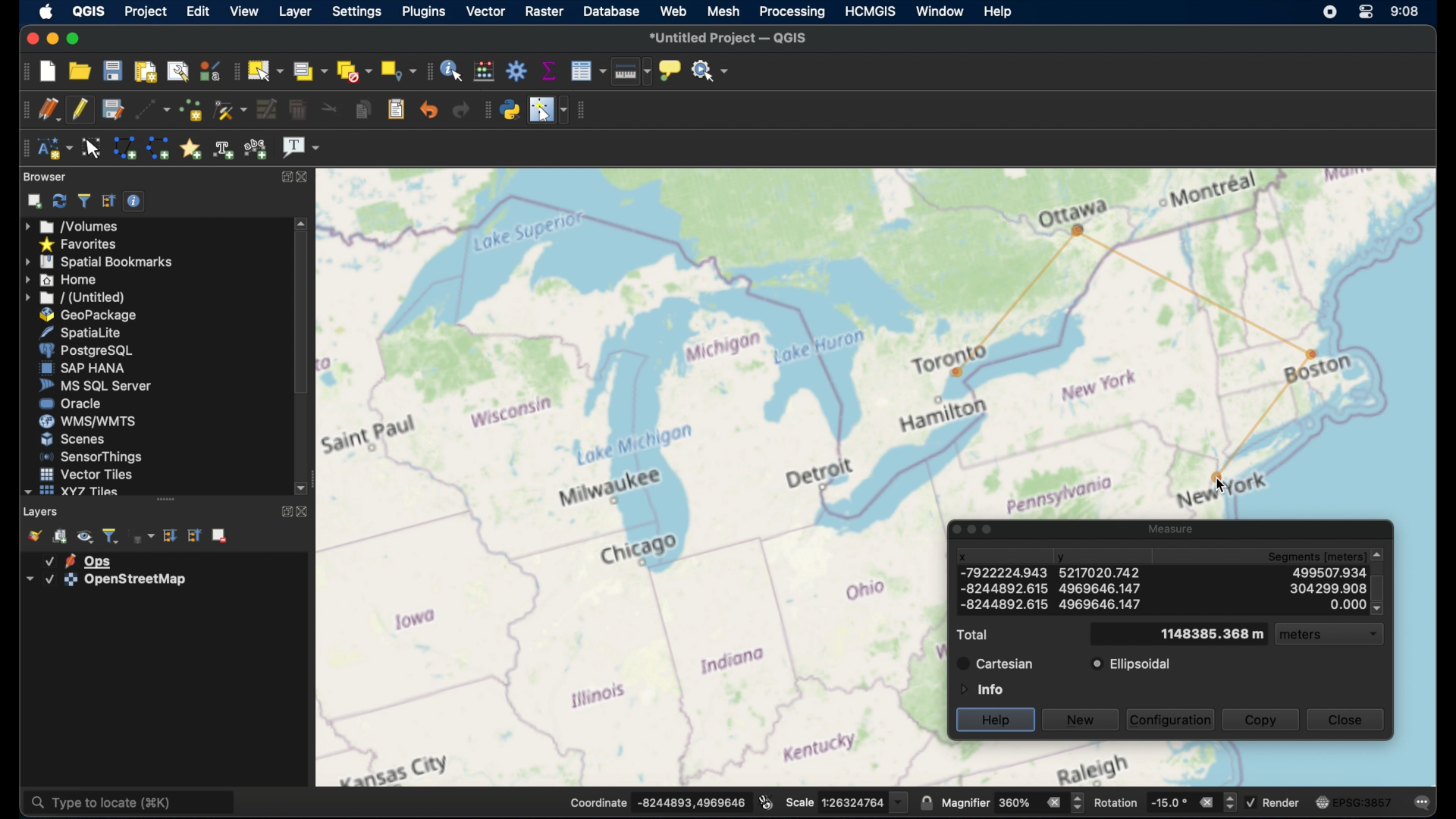 This screenshot has width=1456, height=819. What do you see at coordinates (1063, 559) in the screenshot?
I see `y` at bounding box center [1063, 559].